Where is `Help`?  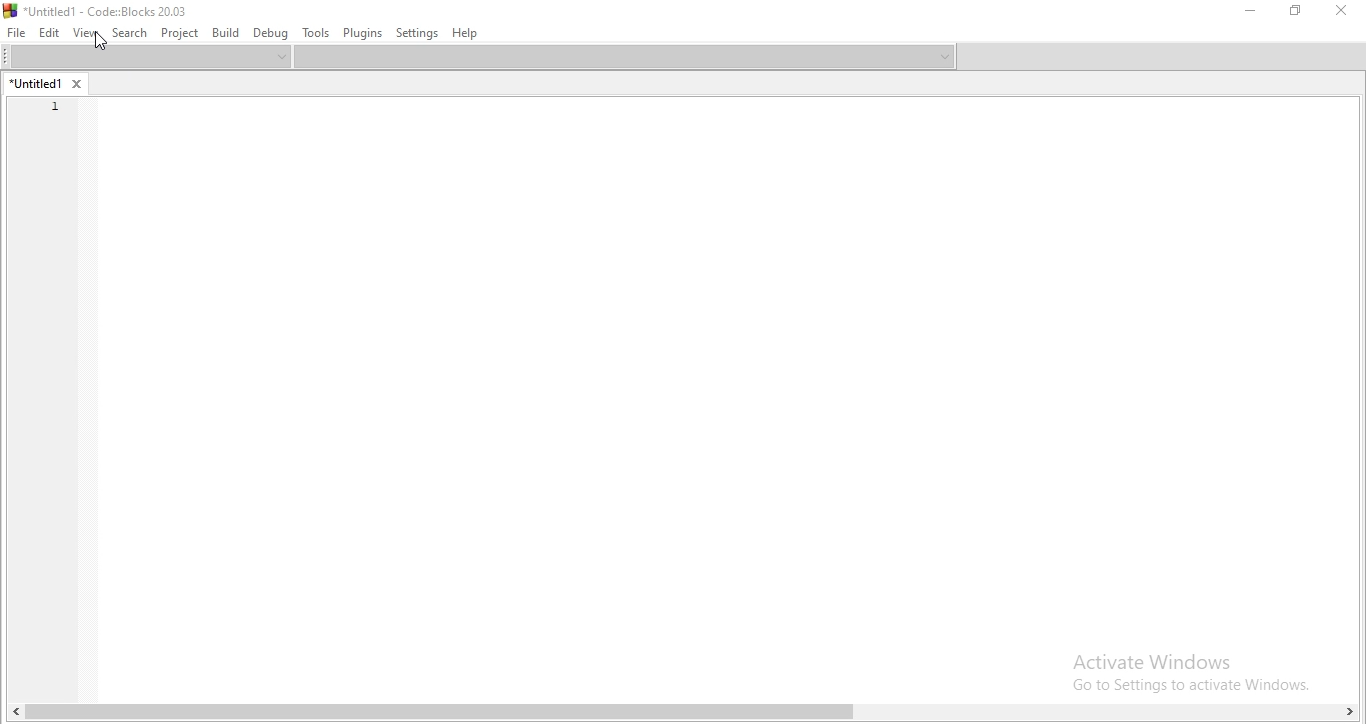
Help is located at coordinates (464, 32).